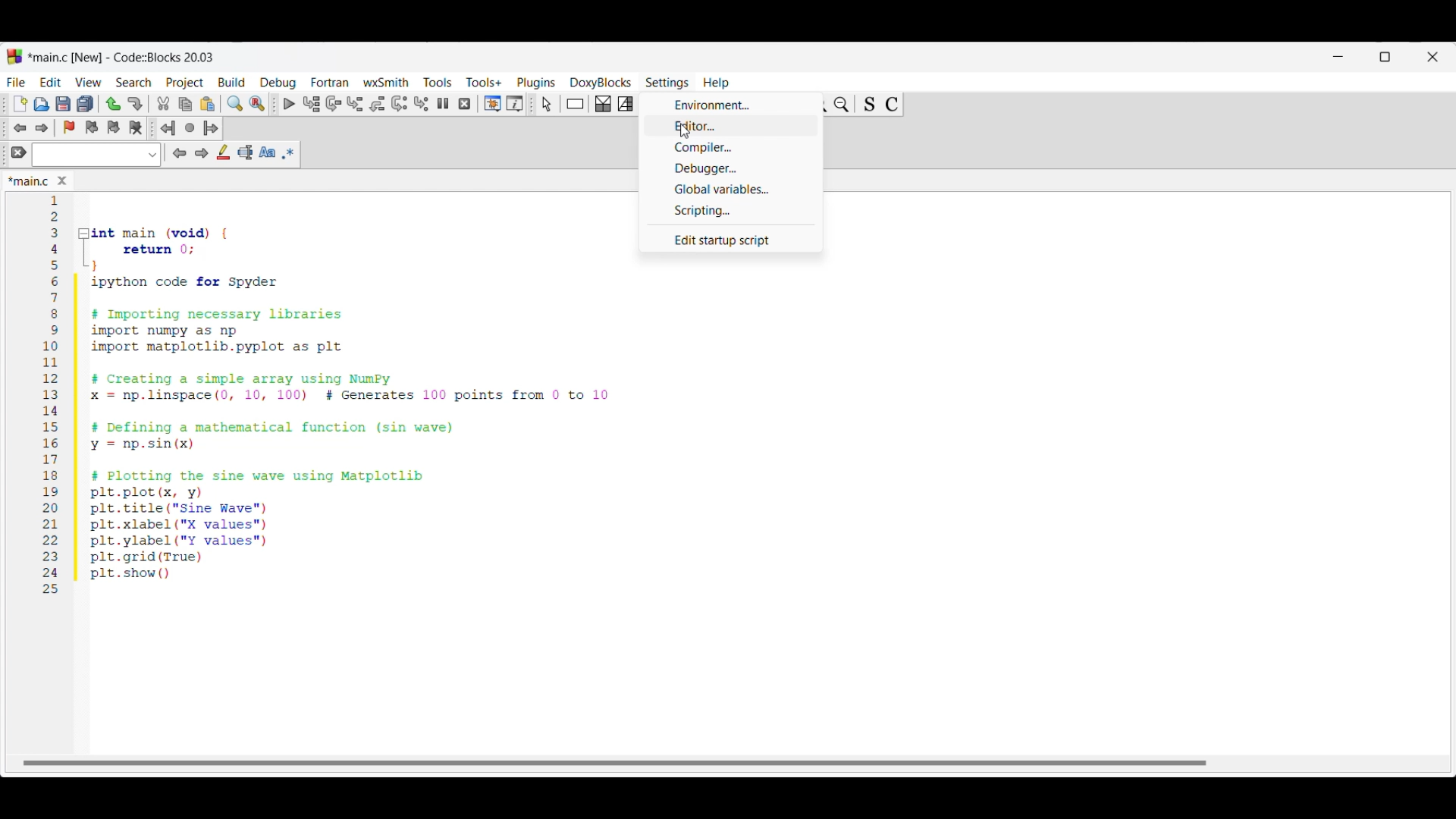 Image resolution: width=1456 pixels, height=819 pixels. What do you see at coordinates (133, 83) in the screenshot?
I see `Search menu` at bounding box center [133, 83].